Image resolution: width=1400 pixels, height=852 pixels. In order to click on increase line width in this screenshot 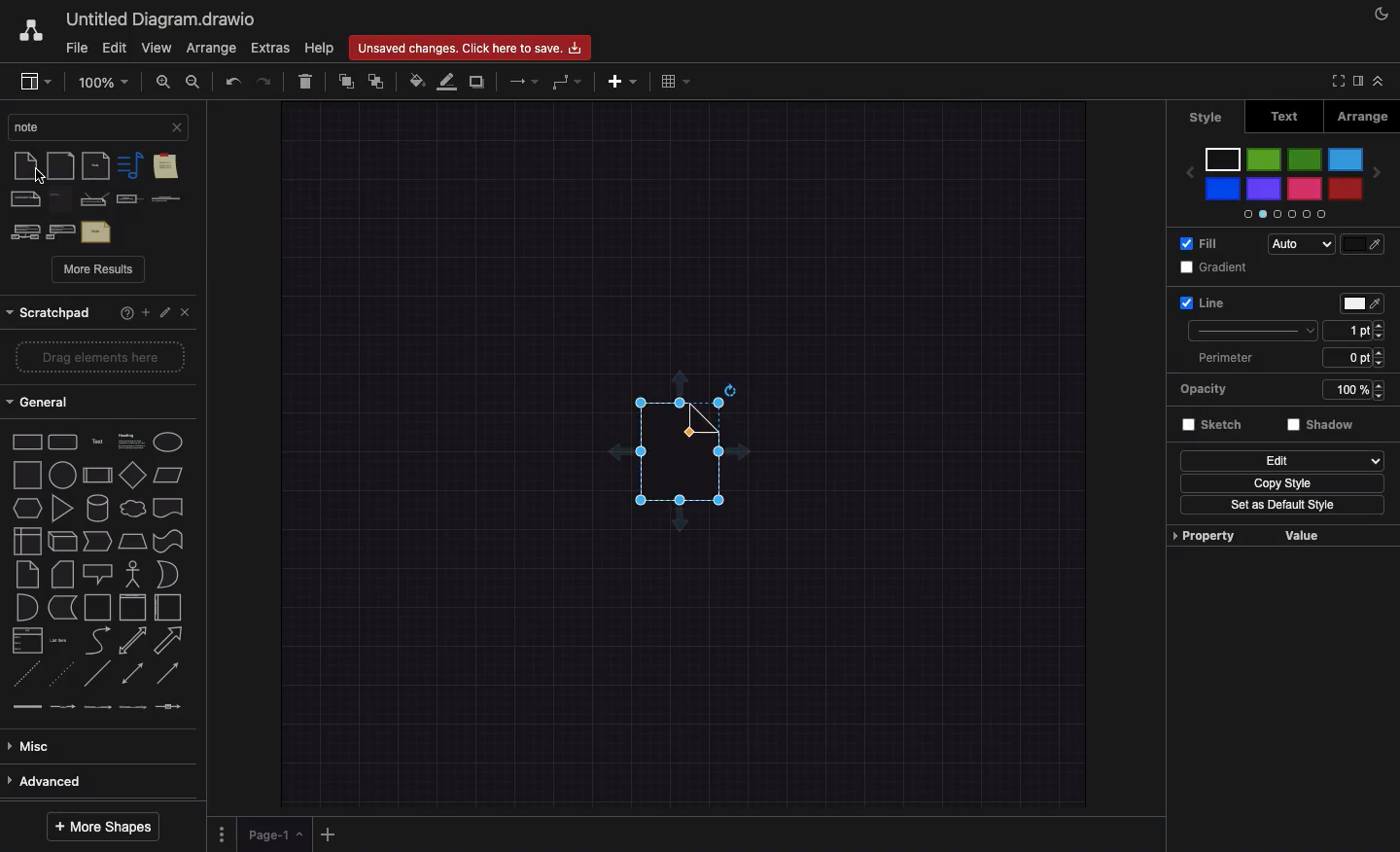, I will do `click(1381, 323)`.